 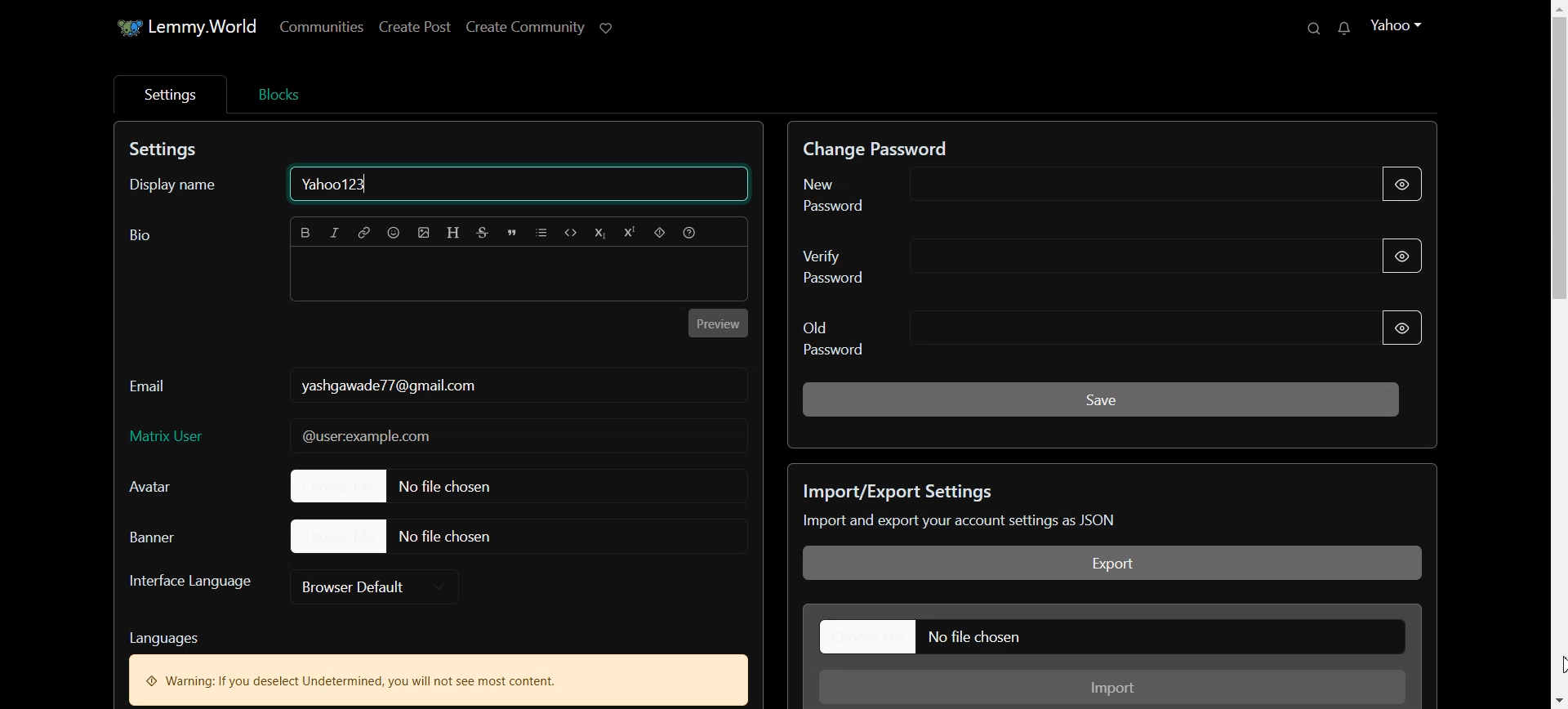 What do you see at coordinates (167, 151) in the screenshot?
I see `Text` at bounding box center [167, 151].